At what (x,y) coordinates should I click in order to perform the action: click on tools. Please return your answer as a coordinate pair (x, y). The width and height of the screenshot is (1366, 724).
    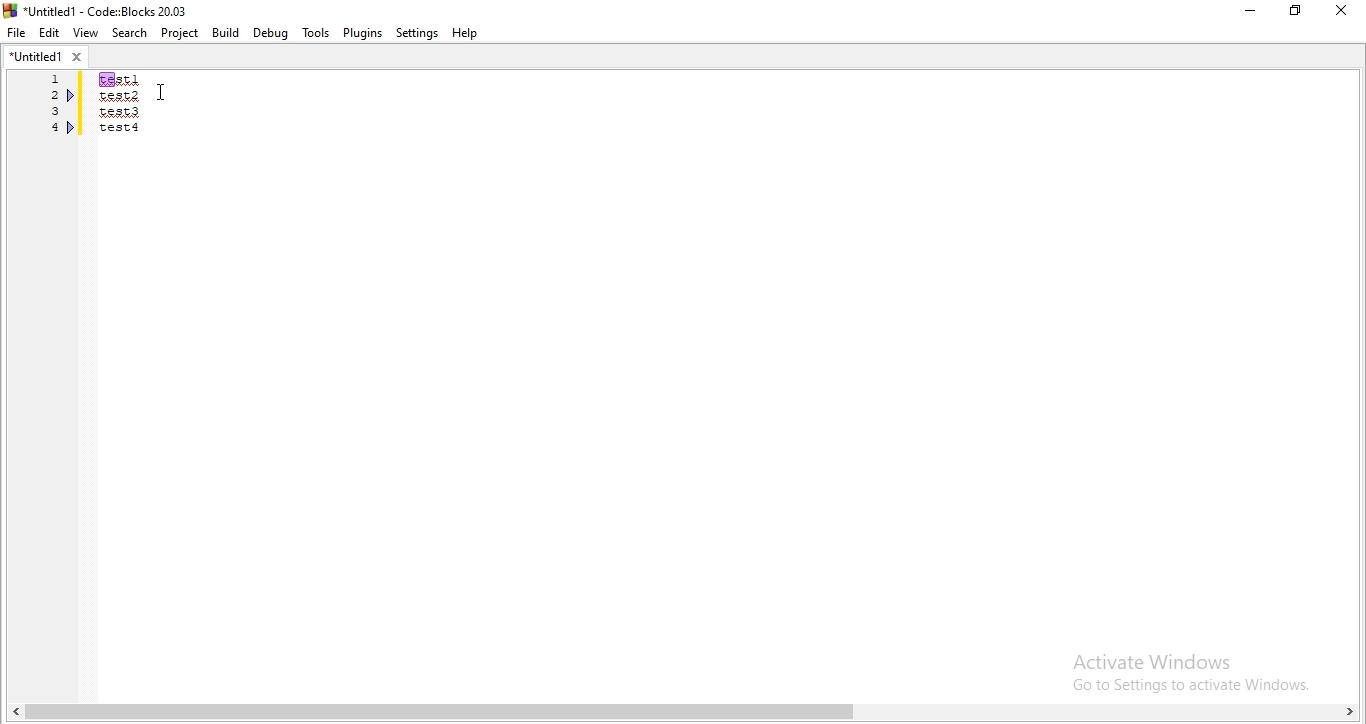
    Looking at the image, I should click on (314, 33).